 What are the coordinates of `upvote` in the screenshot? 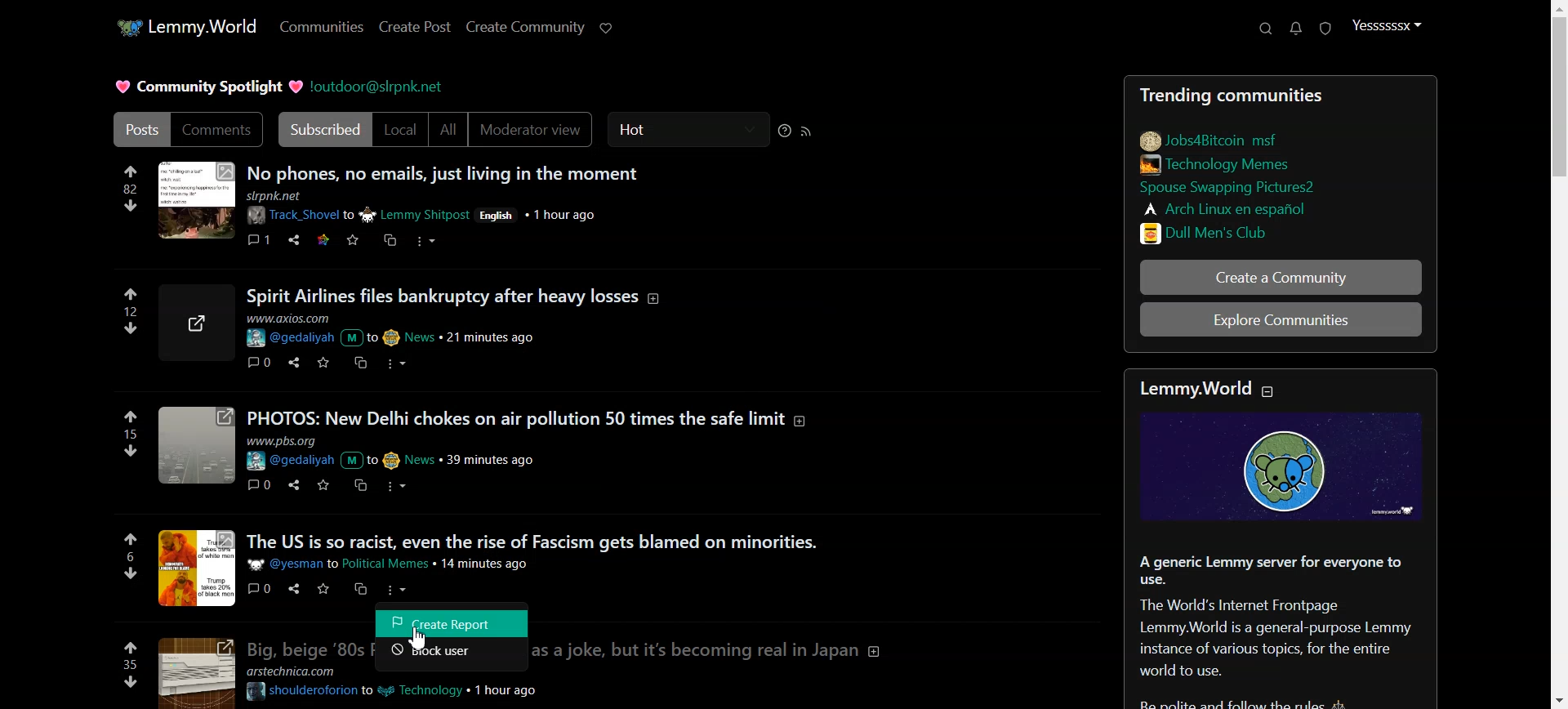 It's located at (130, 170).